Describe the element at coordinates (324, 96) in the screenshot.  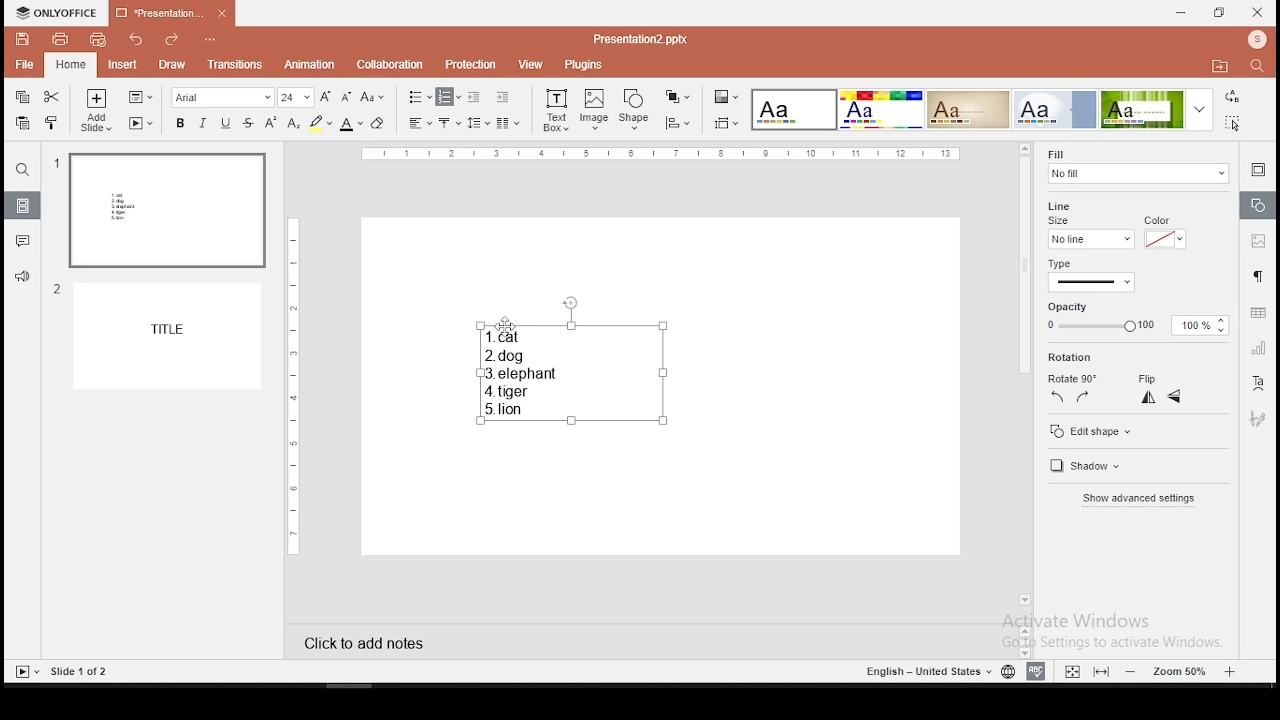
I see `increase font size` at that location.